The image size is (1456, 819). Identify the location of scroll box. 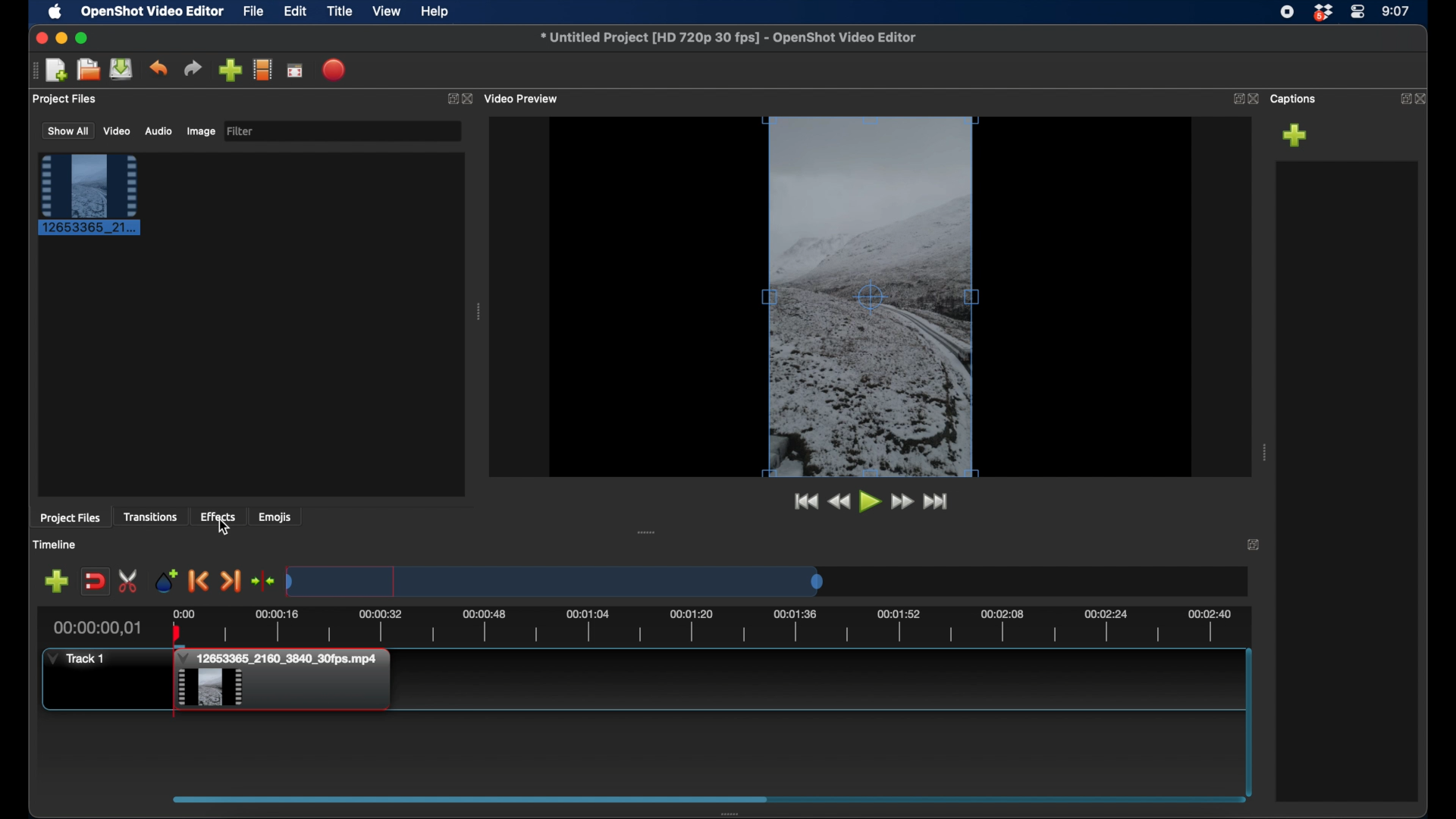
(469, 799).